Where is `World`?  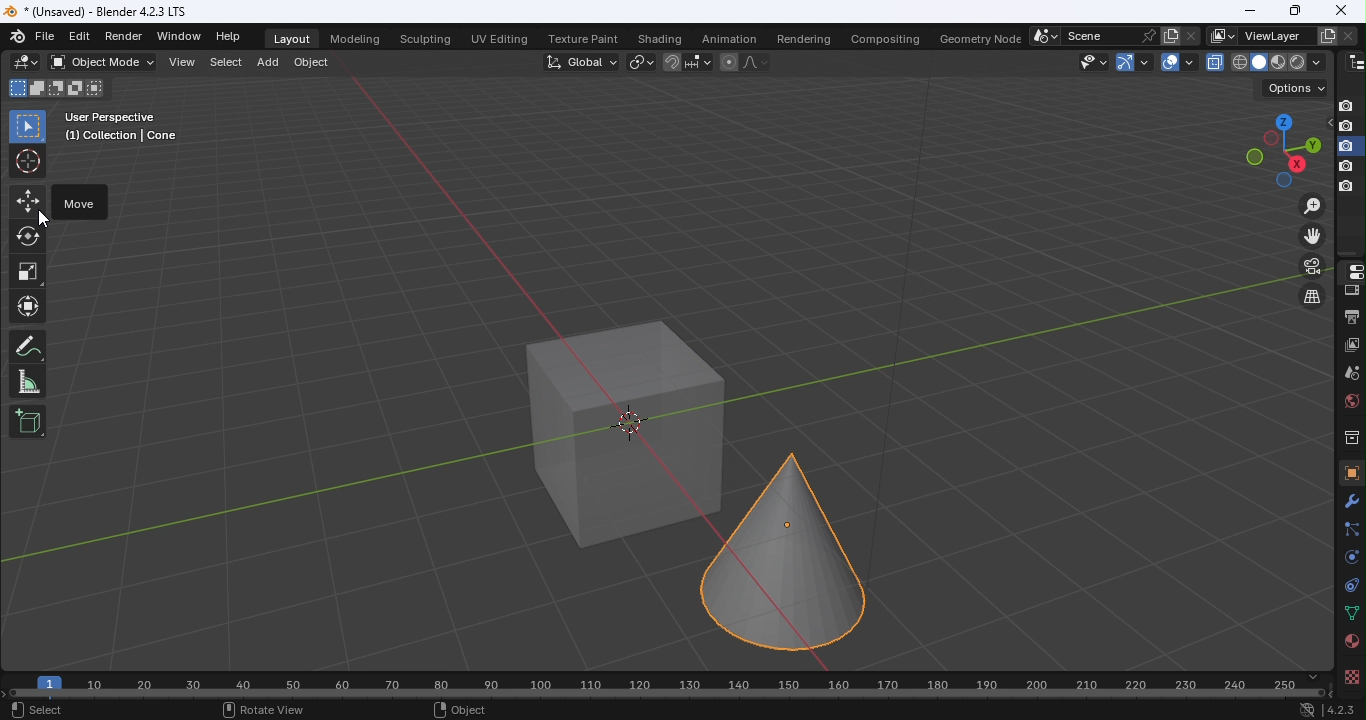
World is located at coordinates (1349, 401).